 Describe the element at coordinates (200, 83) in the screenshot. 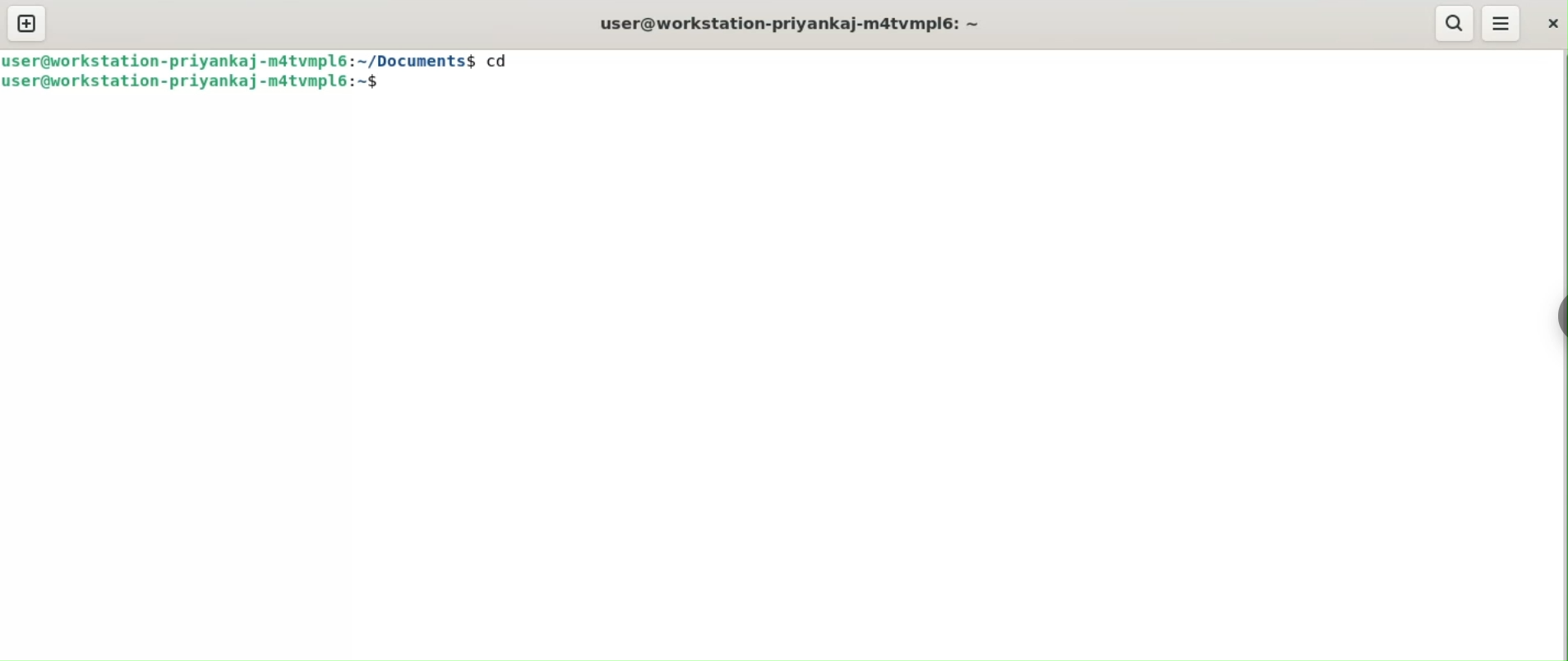

I see `user@workstation-priyankaj-m4tvmpl6: ~$` at that location.